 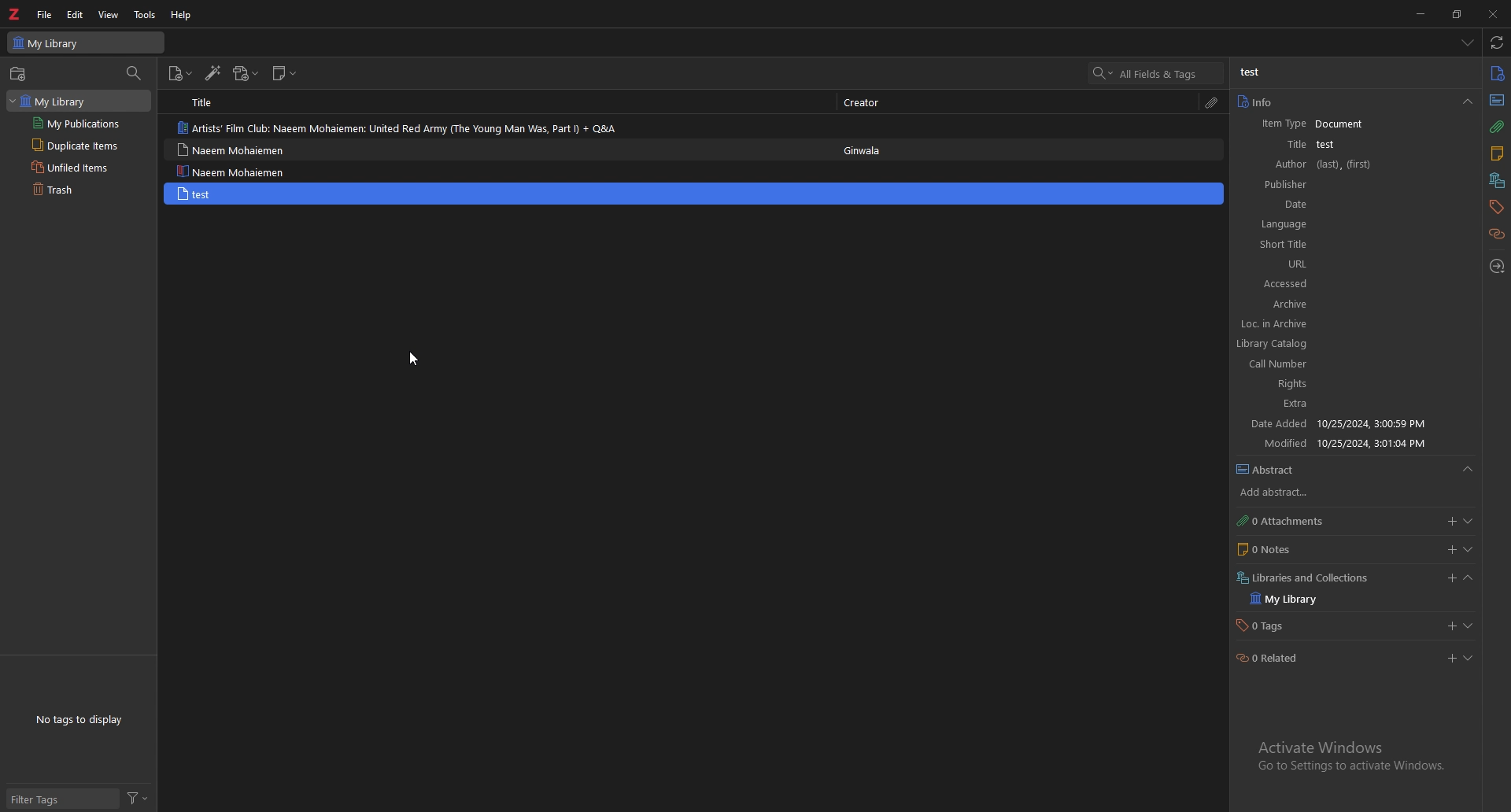 What do you see at coordinates (1352, 751) in the screenshot?
I see `Activate Windows
Go to Settings to activate Windows.` at bounding box center [1352, 751].